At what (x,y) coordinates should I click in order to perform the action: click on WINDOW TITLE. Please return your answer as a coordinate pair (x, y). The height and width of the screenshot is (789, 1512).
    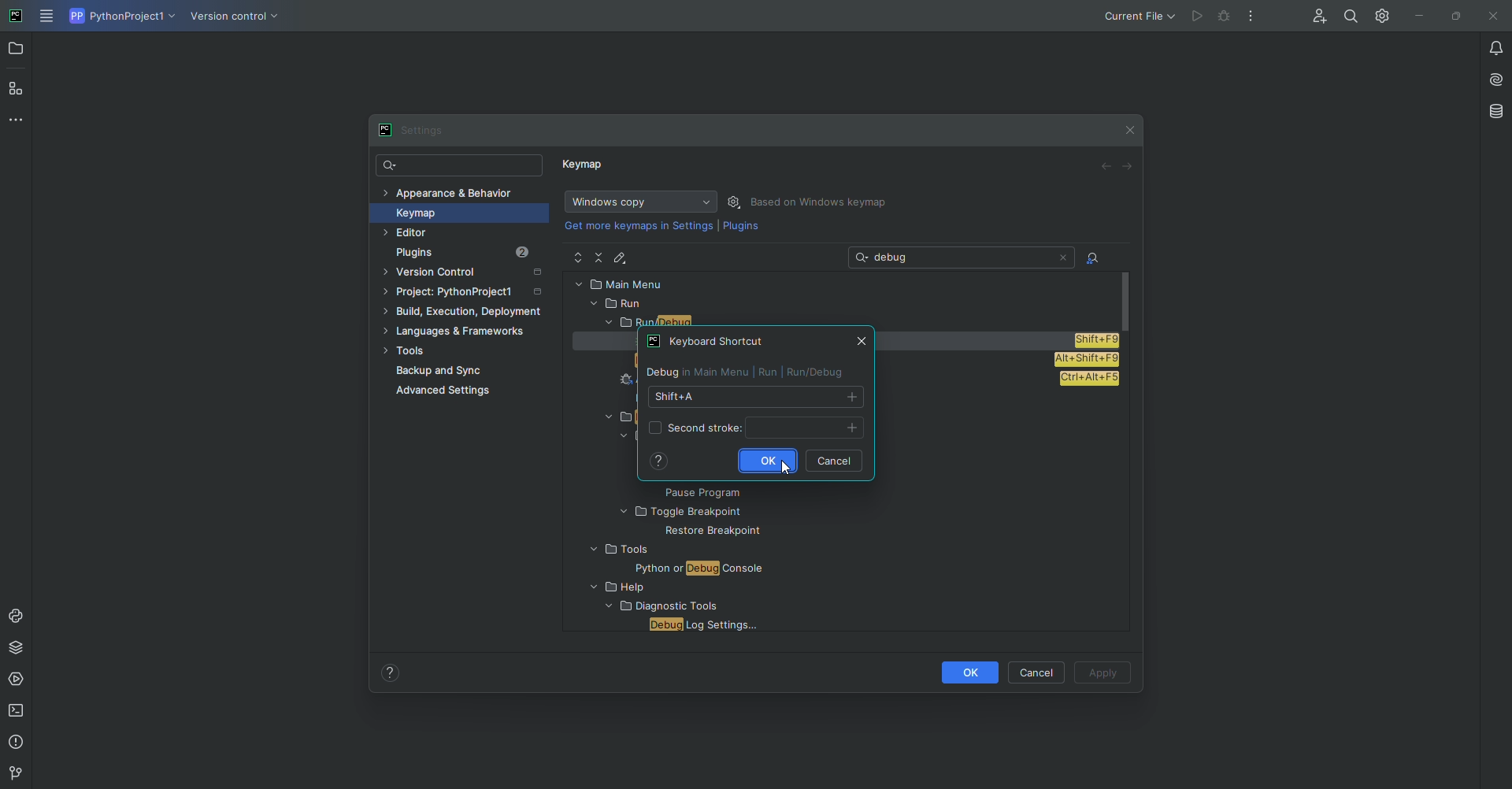
    Looking at the image, I should click on (706, 339).